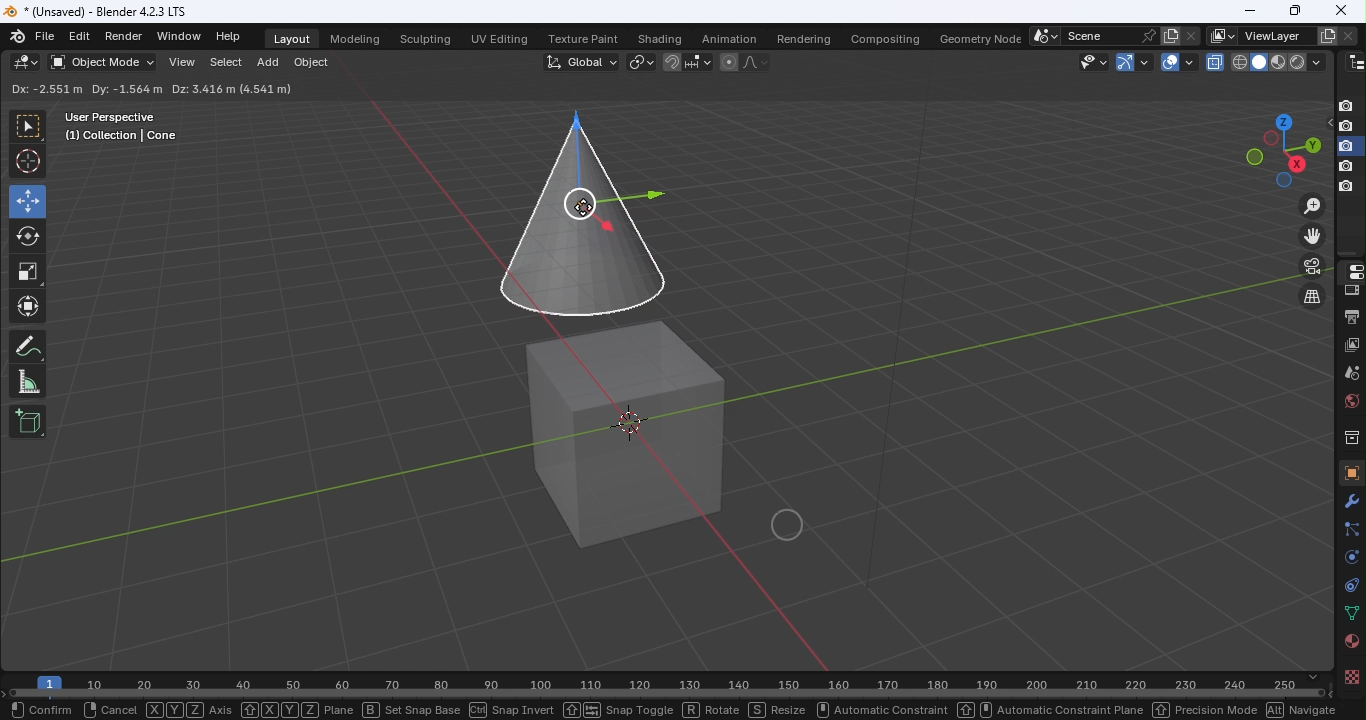 This screenshot has width=1366, height=720. Describe the element at coordinates (29, 162) in the screenshot. I see `Cursor` at that location.